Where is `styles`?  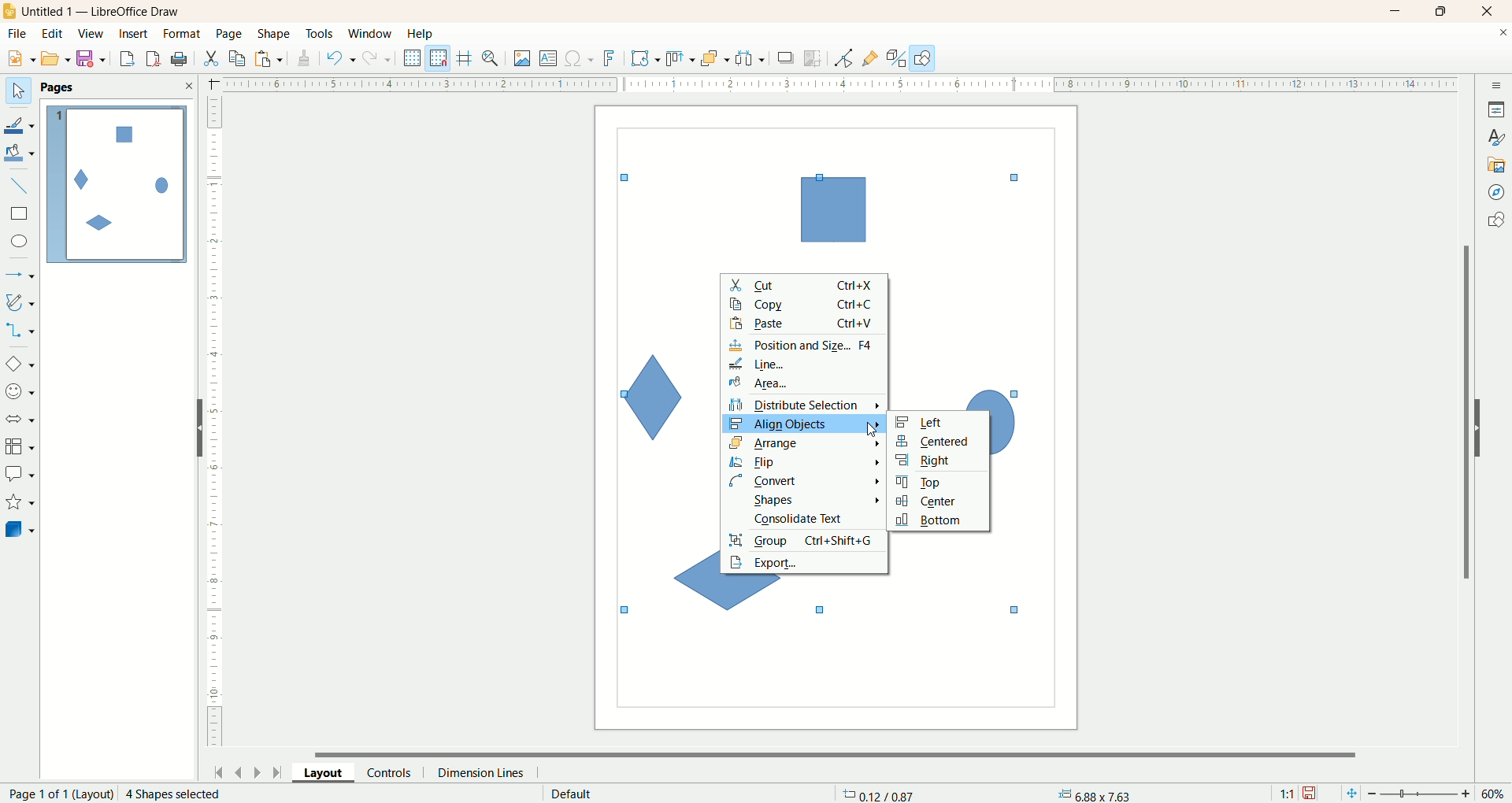 styles is located at coordinates (1496, 135).